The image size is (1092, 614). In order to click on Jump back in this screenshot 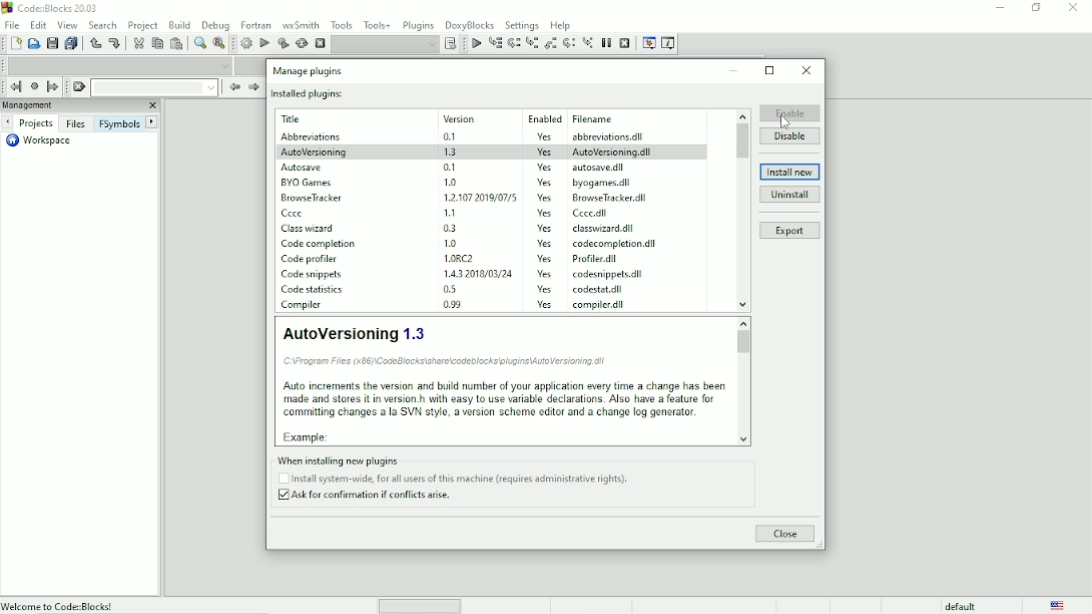, I will do `click(16, 86)`.